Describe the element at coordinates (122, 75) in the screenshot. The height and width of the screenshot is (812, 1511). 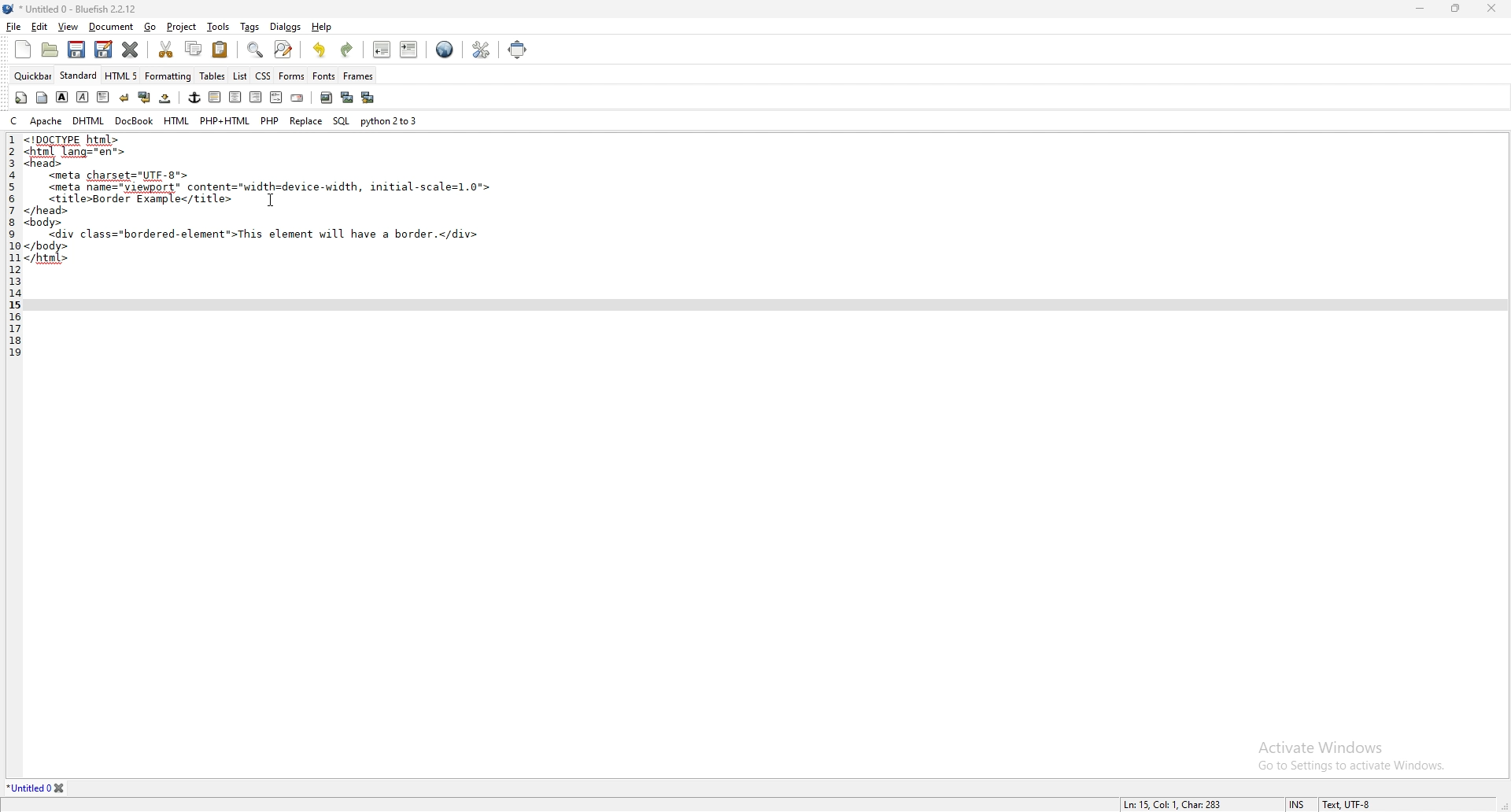
I see `html 5` at that location.